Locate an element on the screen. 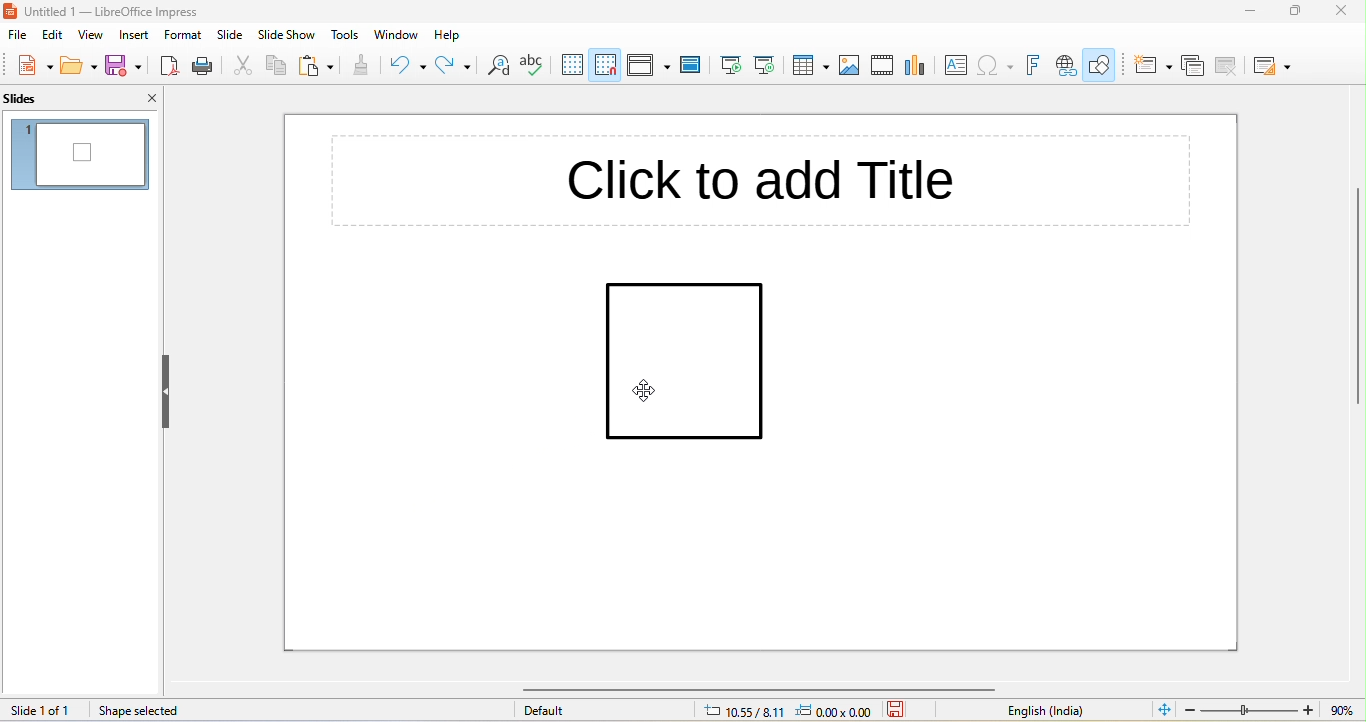 The height and width of the screenshot is (722, 1366). vertical scroll is located at coordinates (1346, 312).